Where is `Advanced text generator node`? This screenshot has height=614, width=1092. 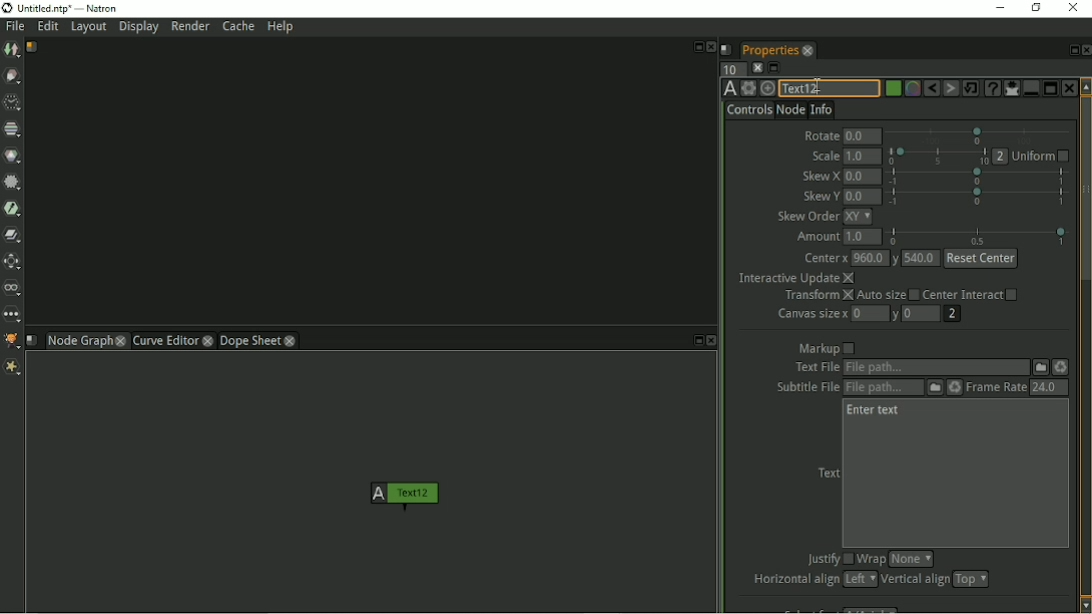 Advanced text generator node is located at coordinates (991, 88).